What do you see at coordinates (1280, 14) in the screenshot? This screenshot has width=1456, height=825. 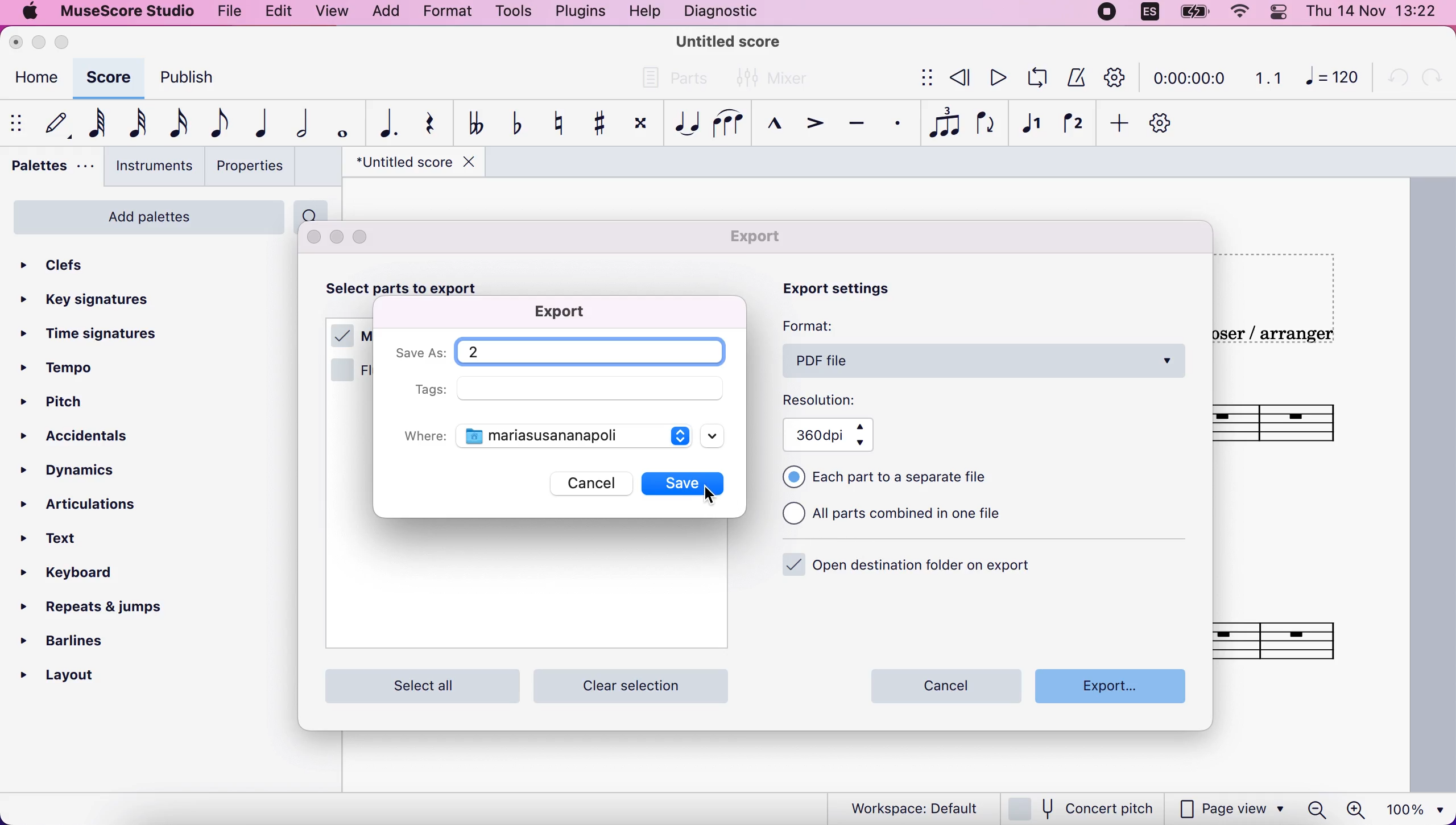 I see `panel control` at bounding box center [1280, 14].